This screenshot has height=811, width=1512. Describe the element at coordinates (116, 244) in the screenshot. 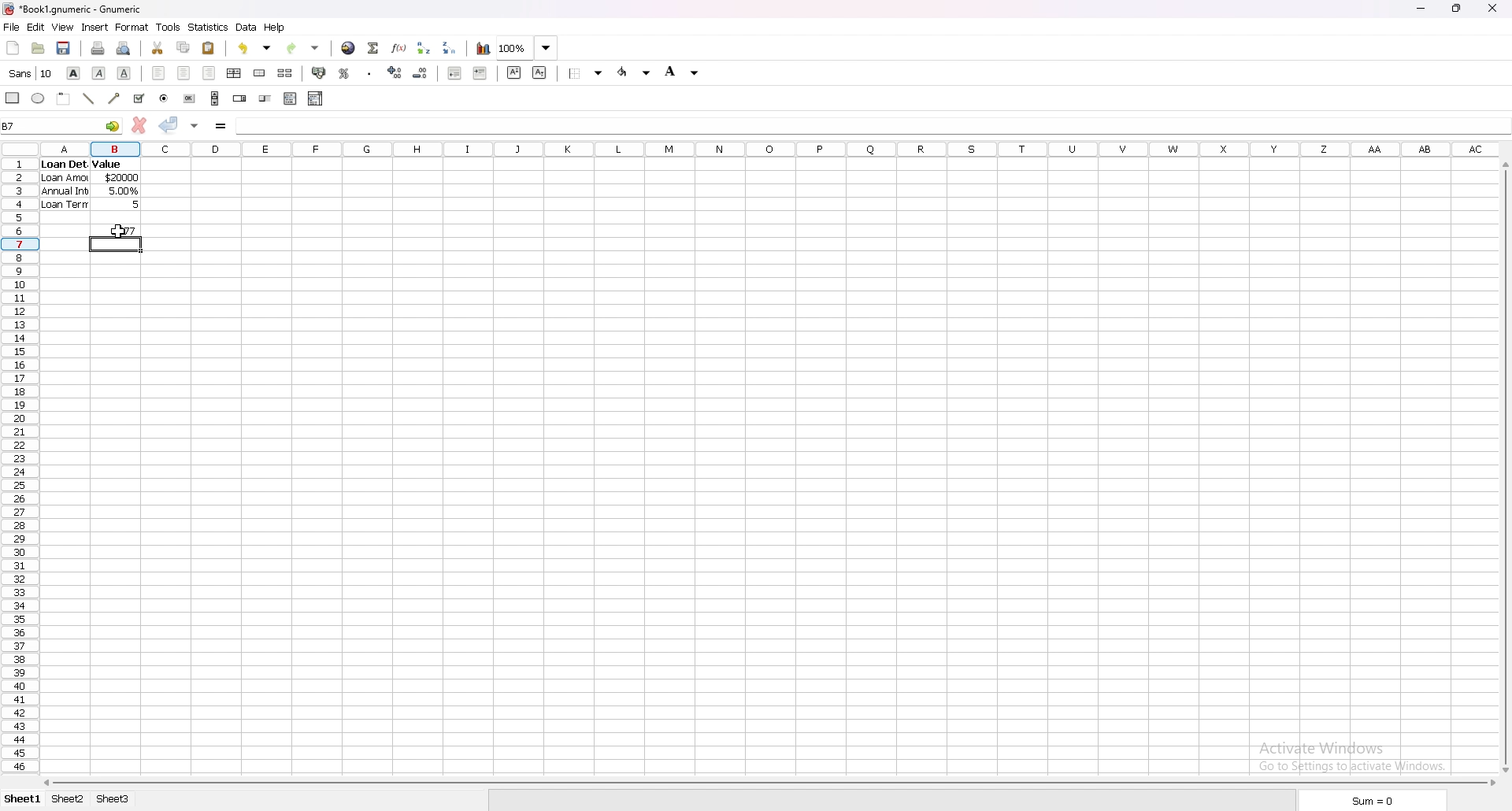

I see `selected cell` at that location.